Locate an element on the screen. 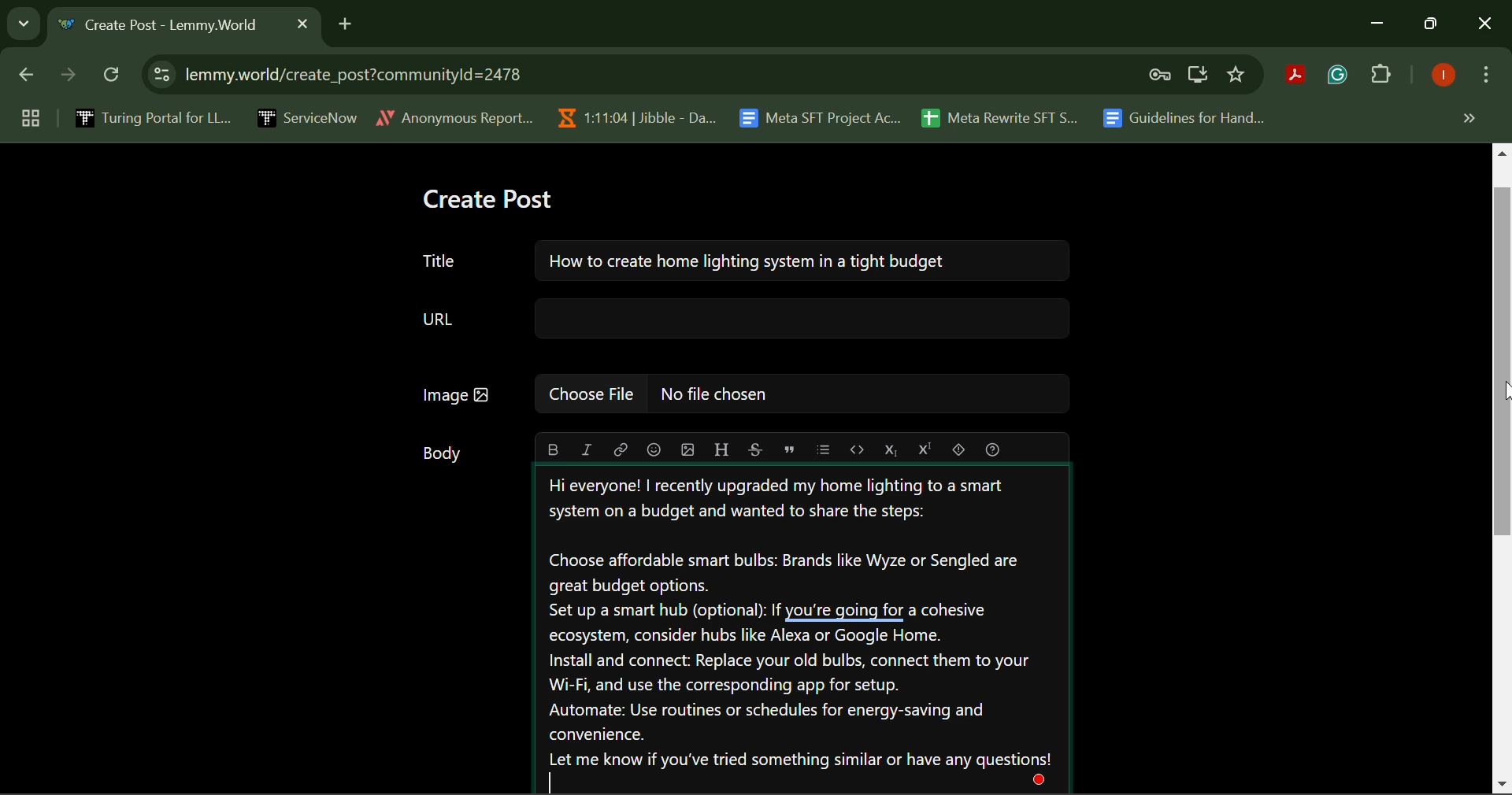  More Options is located at coordinates (1484, 78).